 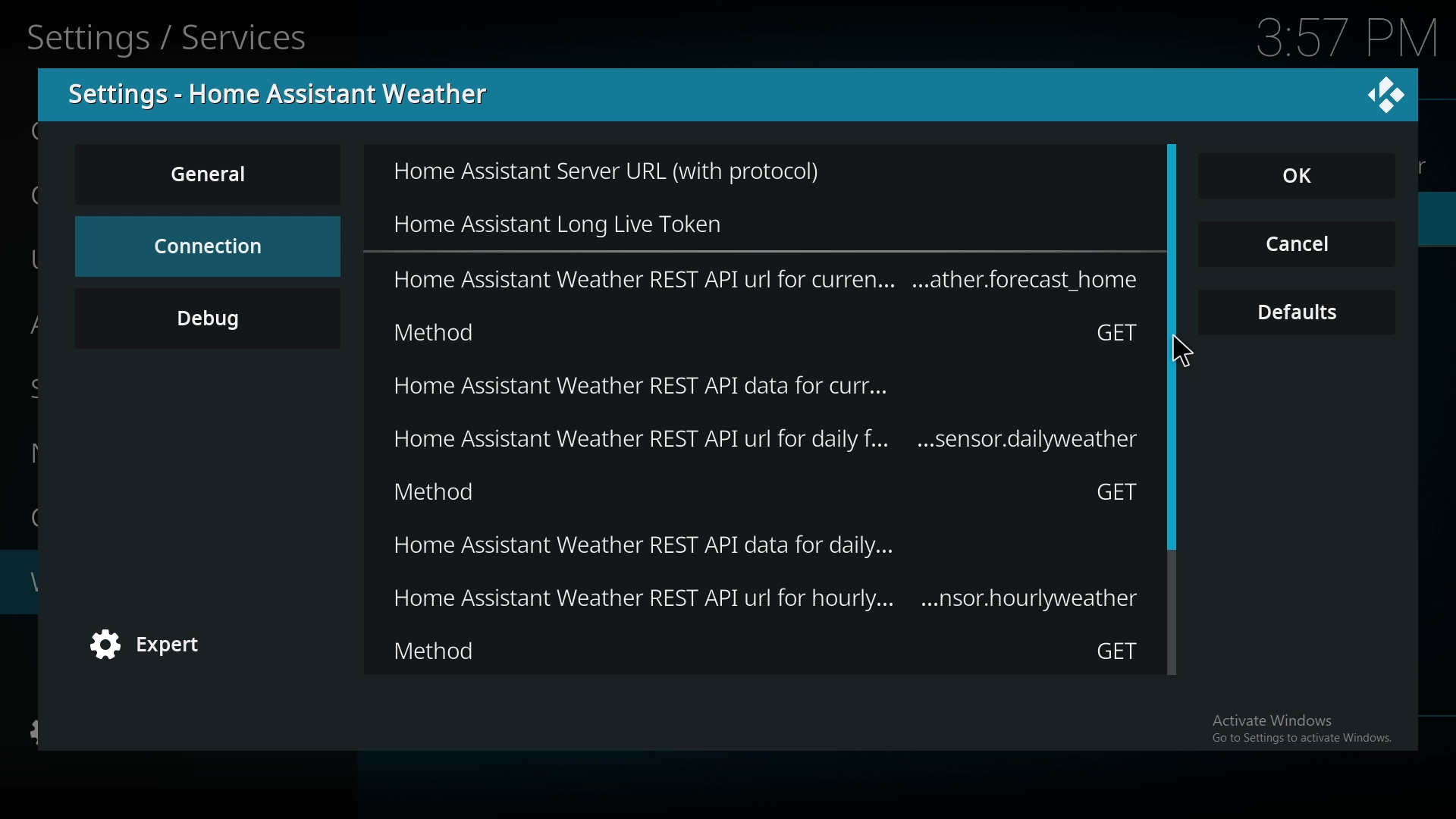 I want to click on Time, so click(x=1339, y=38).